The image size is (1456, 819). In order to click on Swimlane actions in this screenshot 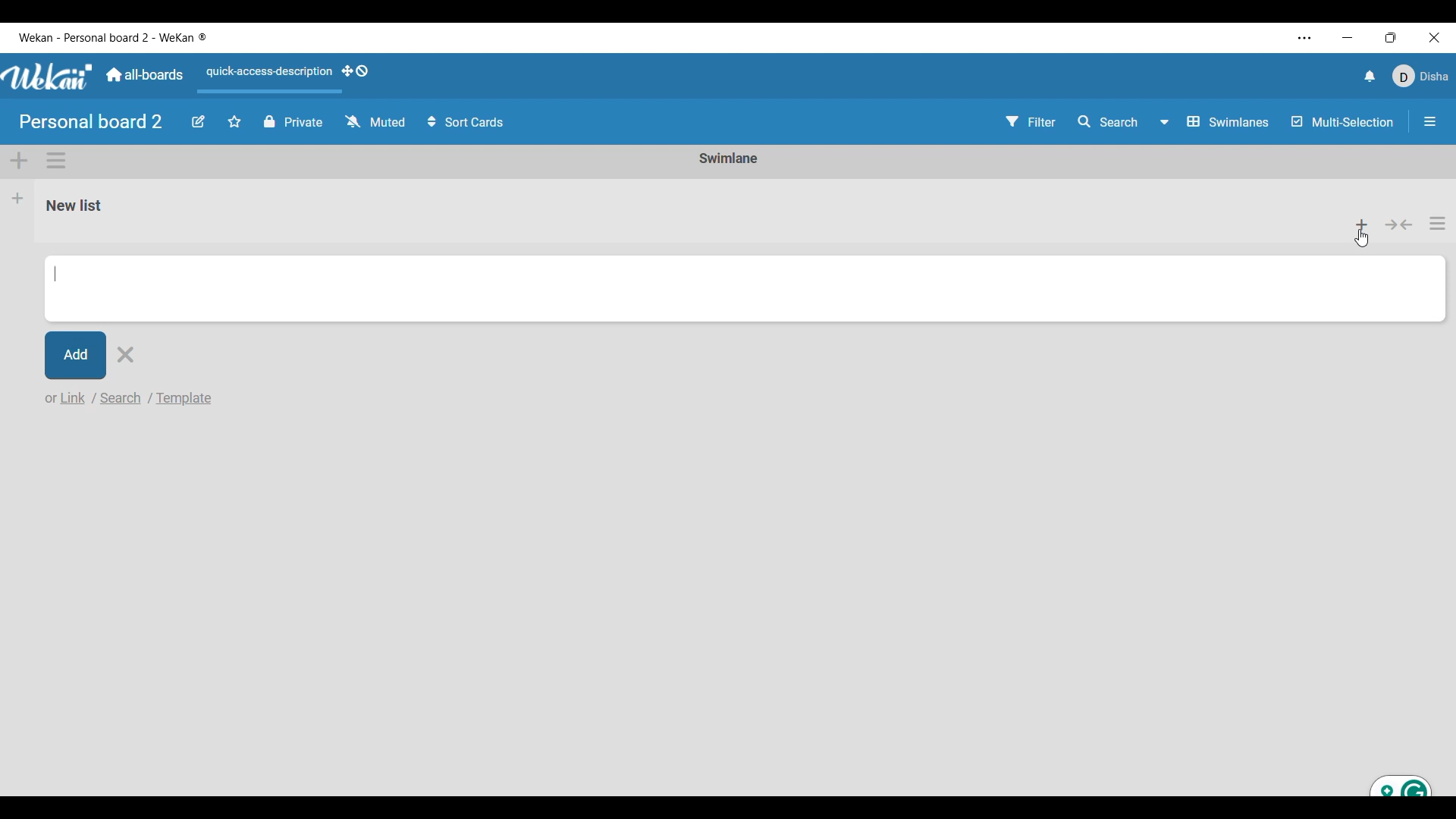, I will do `click(56, 161)`.